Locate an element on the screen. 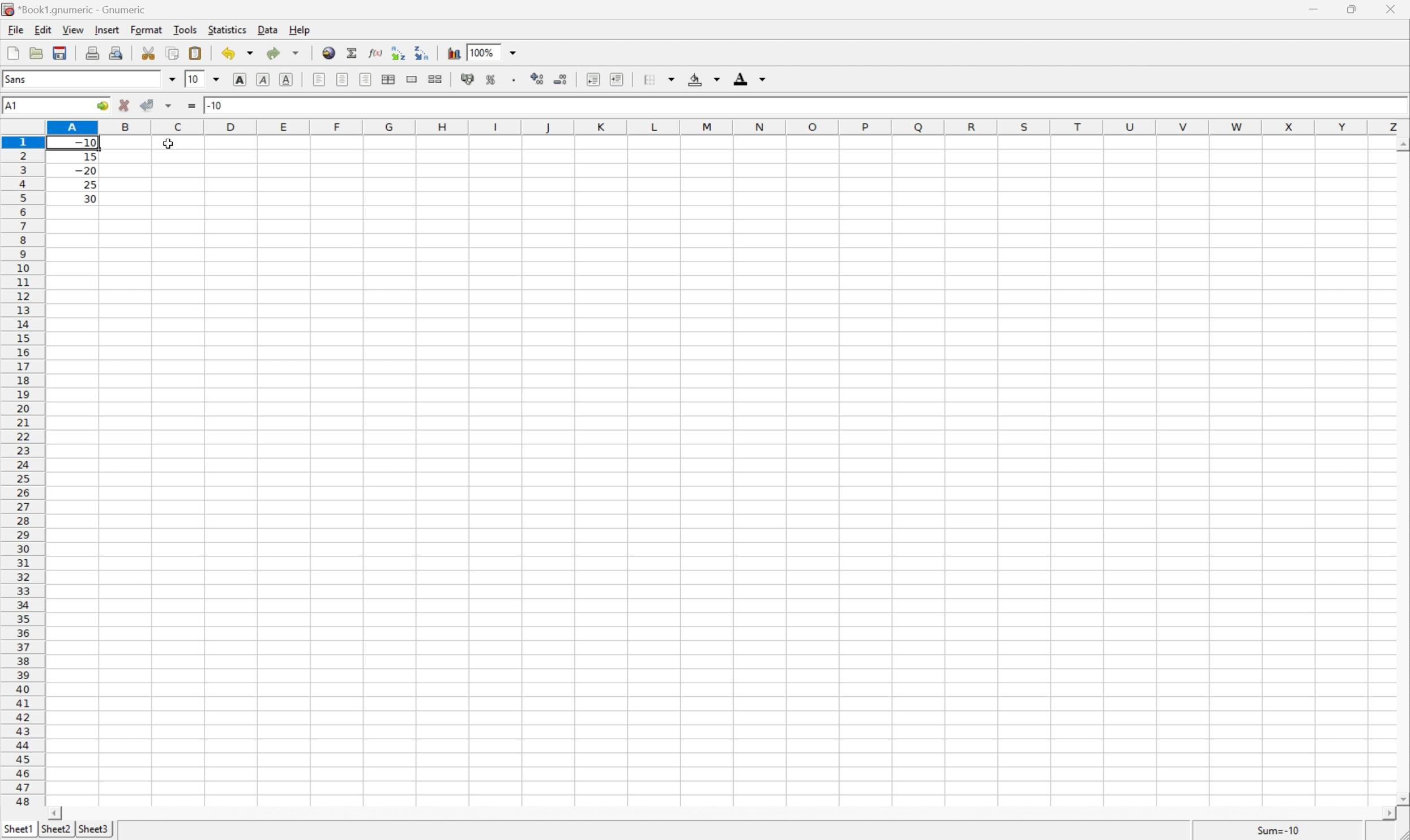  Sheet1 is located at coordinates (19, 827).